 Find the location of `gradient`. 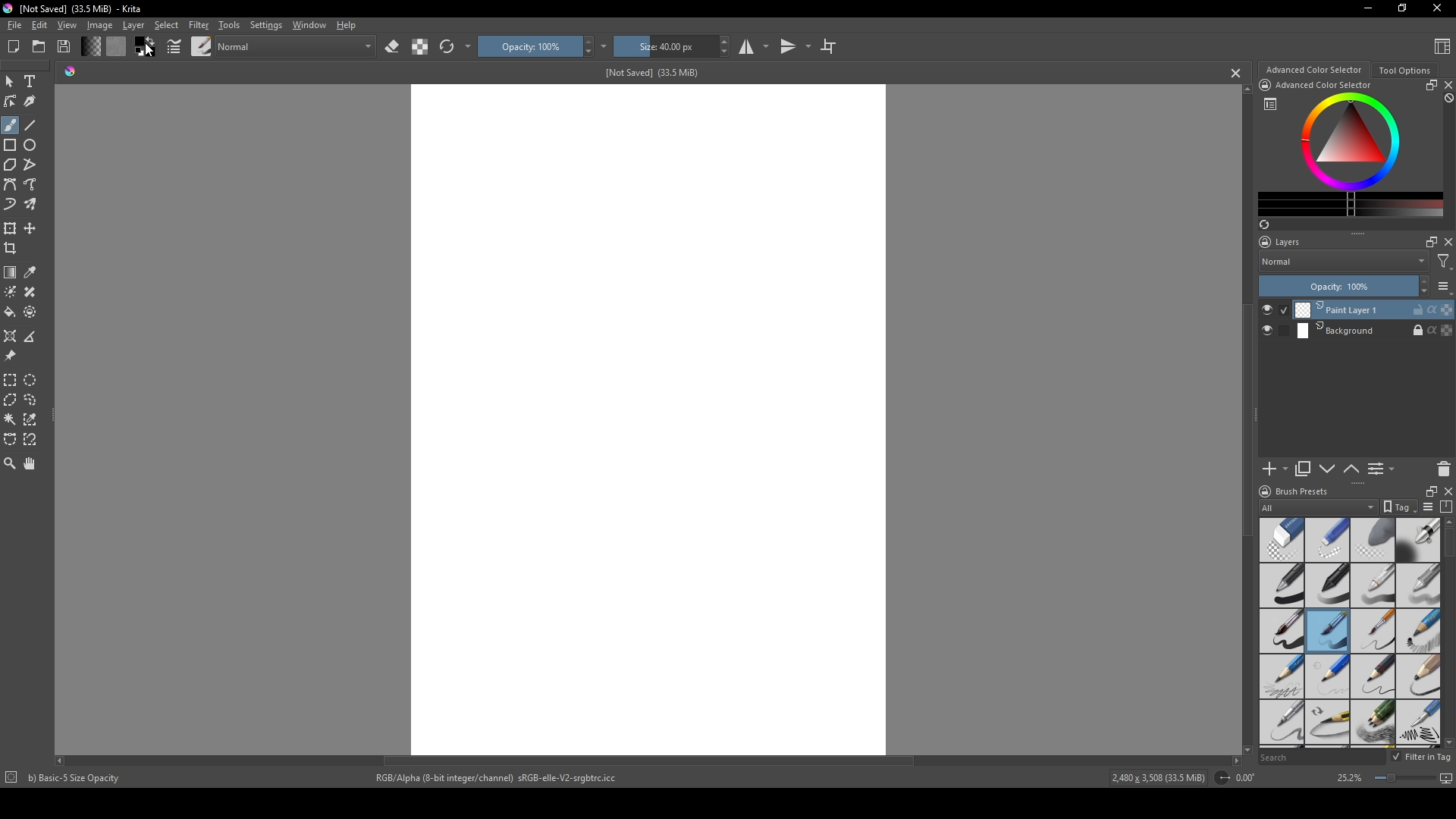

gradient is located at coordinates (11, 272).